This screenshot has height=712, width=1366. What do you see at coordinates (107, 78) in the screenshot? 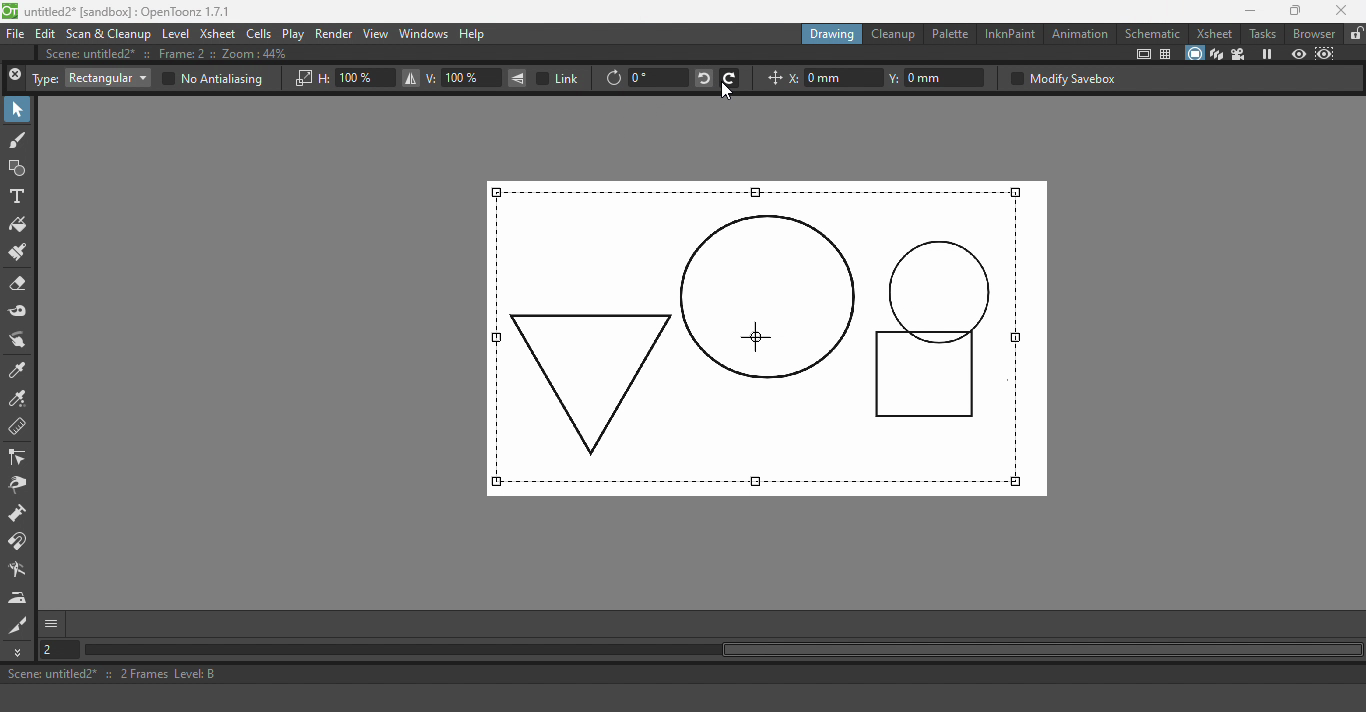
I see `Rectangular` at bounding box center [107, 78].